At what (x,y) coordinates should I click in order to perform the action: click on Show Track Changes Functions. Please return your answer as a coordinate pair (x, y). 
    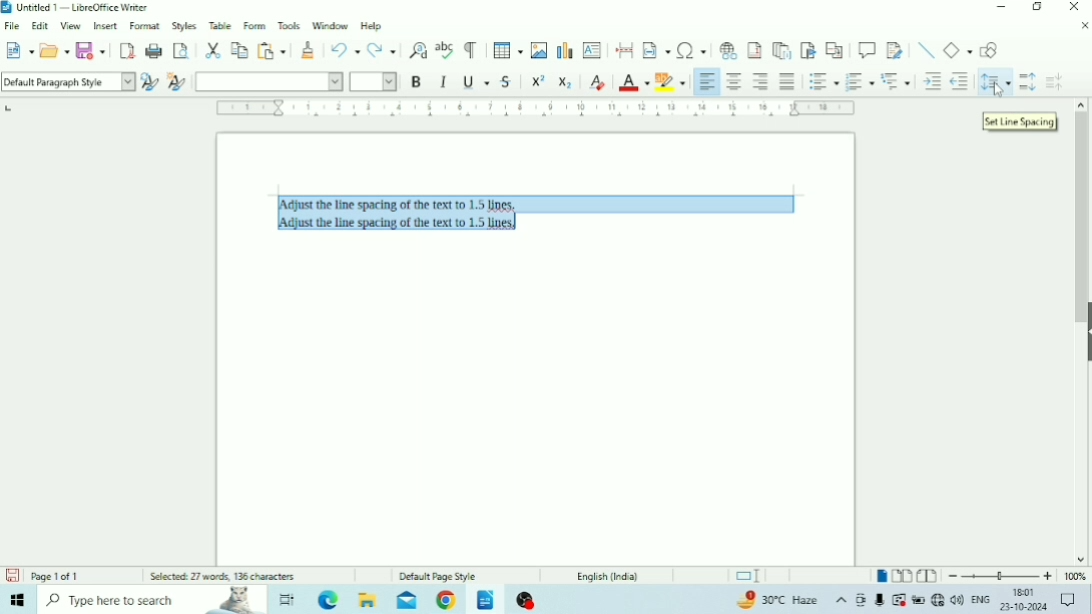
    Looking at the image, I should click on (895, 48).